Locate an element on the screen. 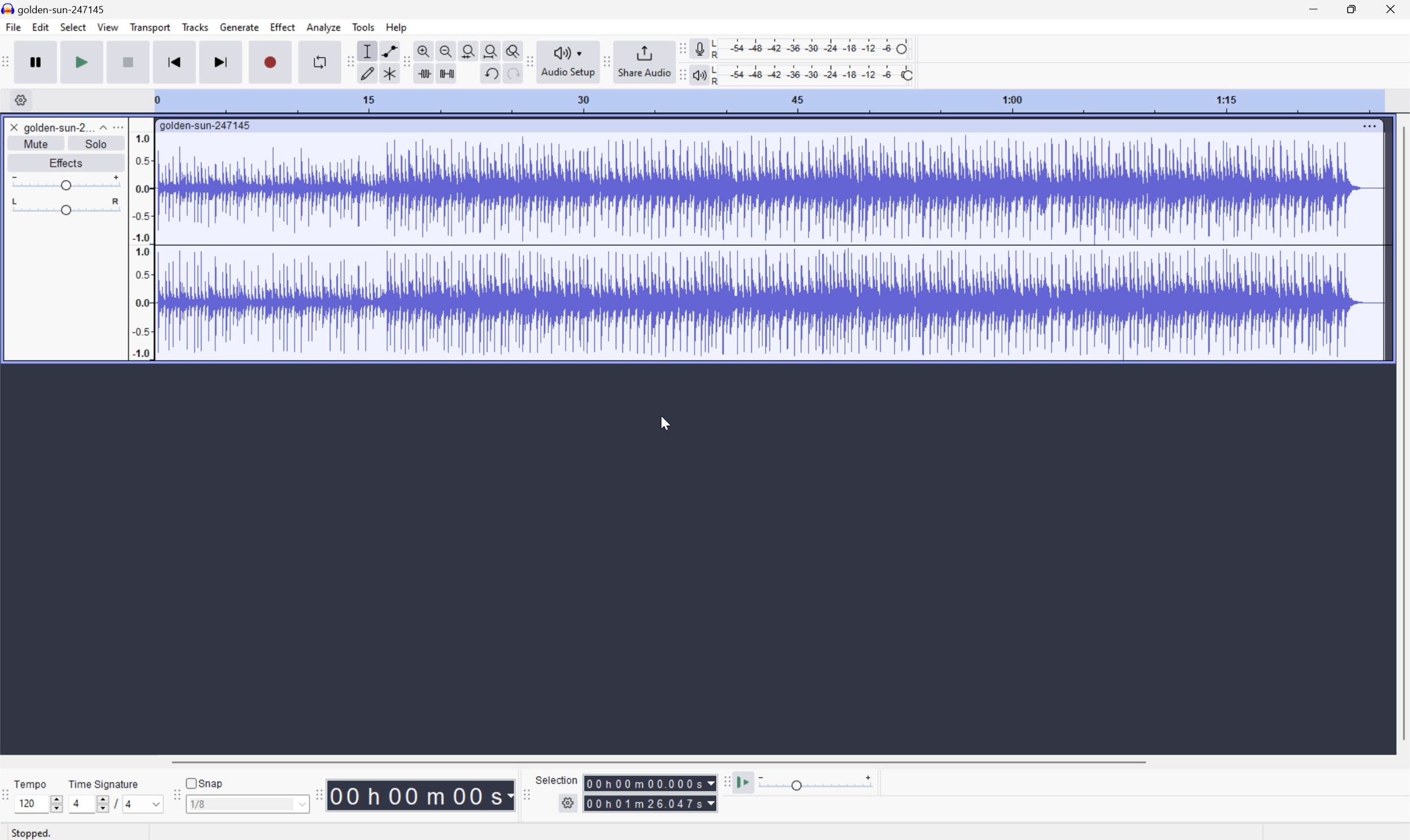 The image size is (1410, 840). Multi tool is located at coordinates (387, 74).